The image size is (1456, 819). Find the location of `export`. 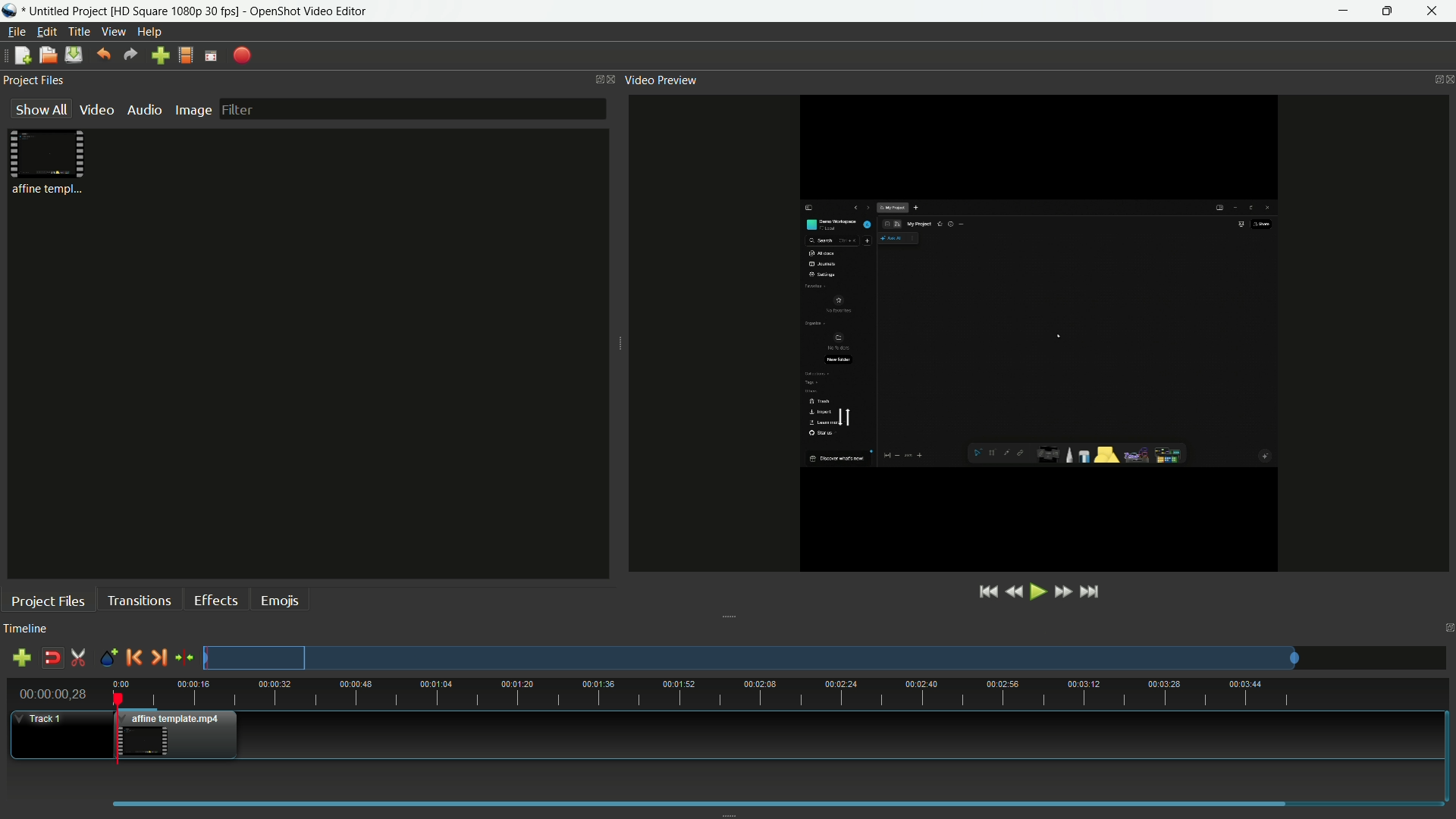

export is located at coordinates (243, 55).